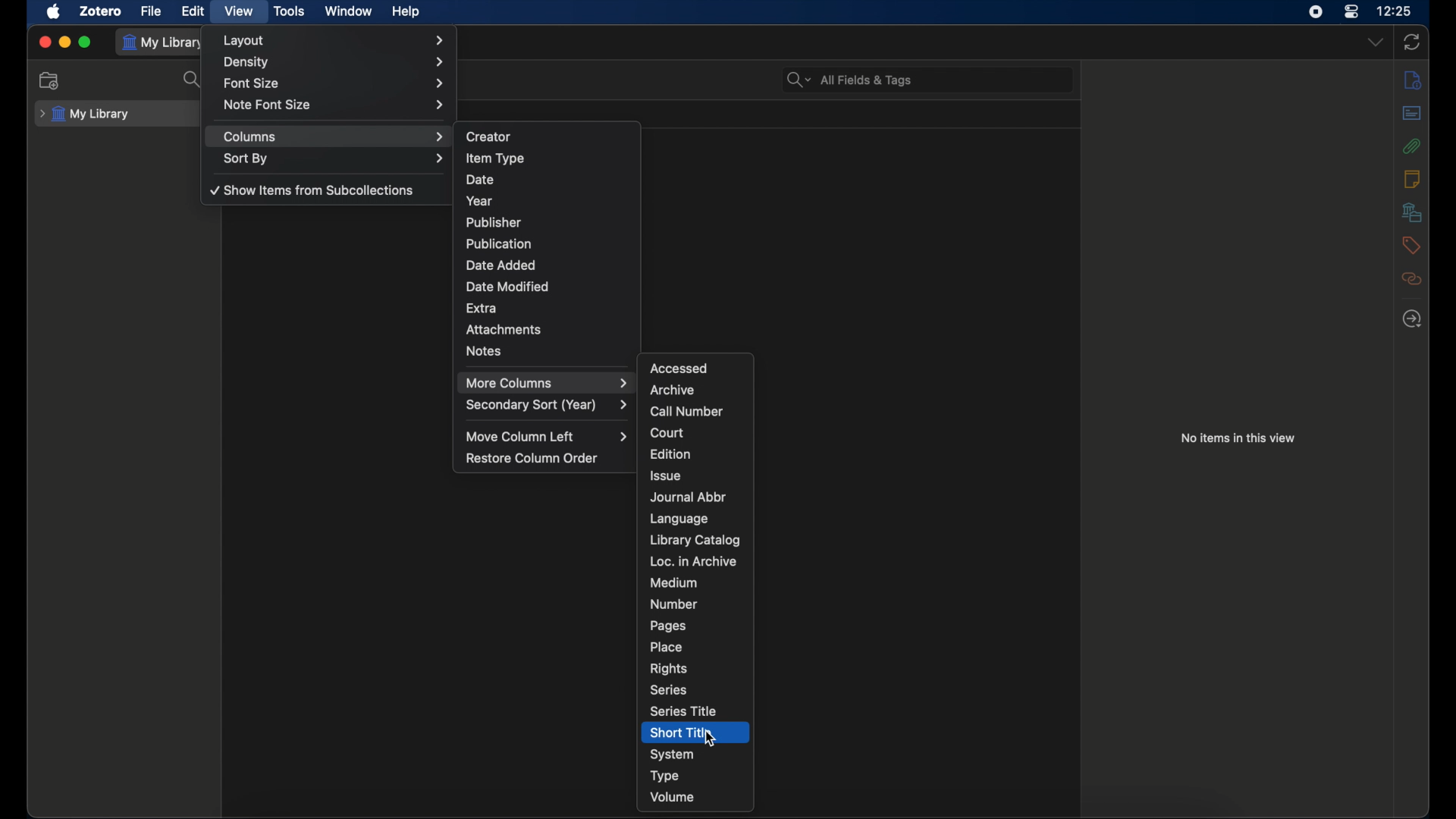  I want to click on loc. in archive, so click(692, 562).